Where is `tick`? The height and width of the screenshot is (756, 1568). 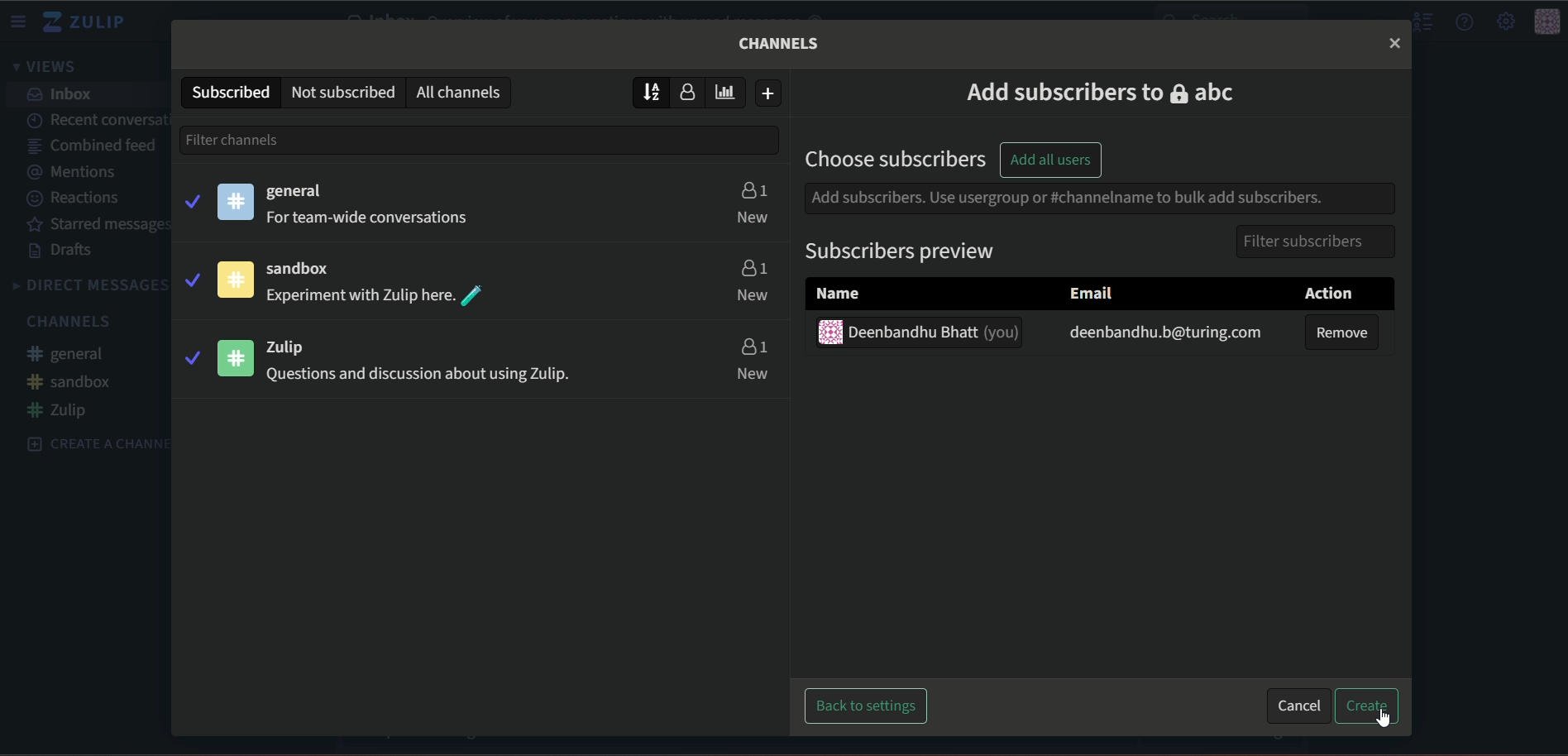
tick is located at coordinates (190, 357).